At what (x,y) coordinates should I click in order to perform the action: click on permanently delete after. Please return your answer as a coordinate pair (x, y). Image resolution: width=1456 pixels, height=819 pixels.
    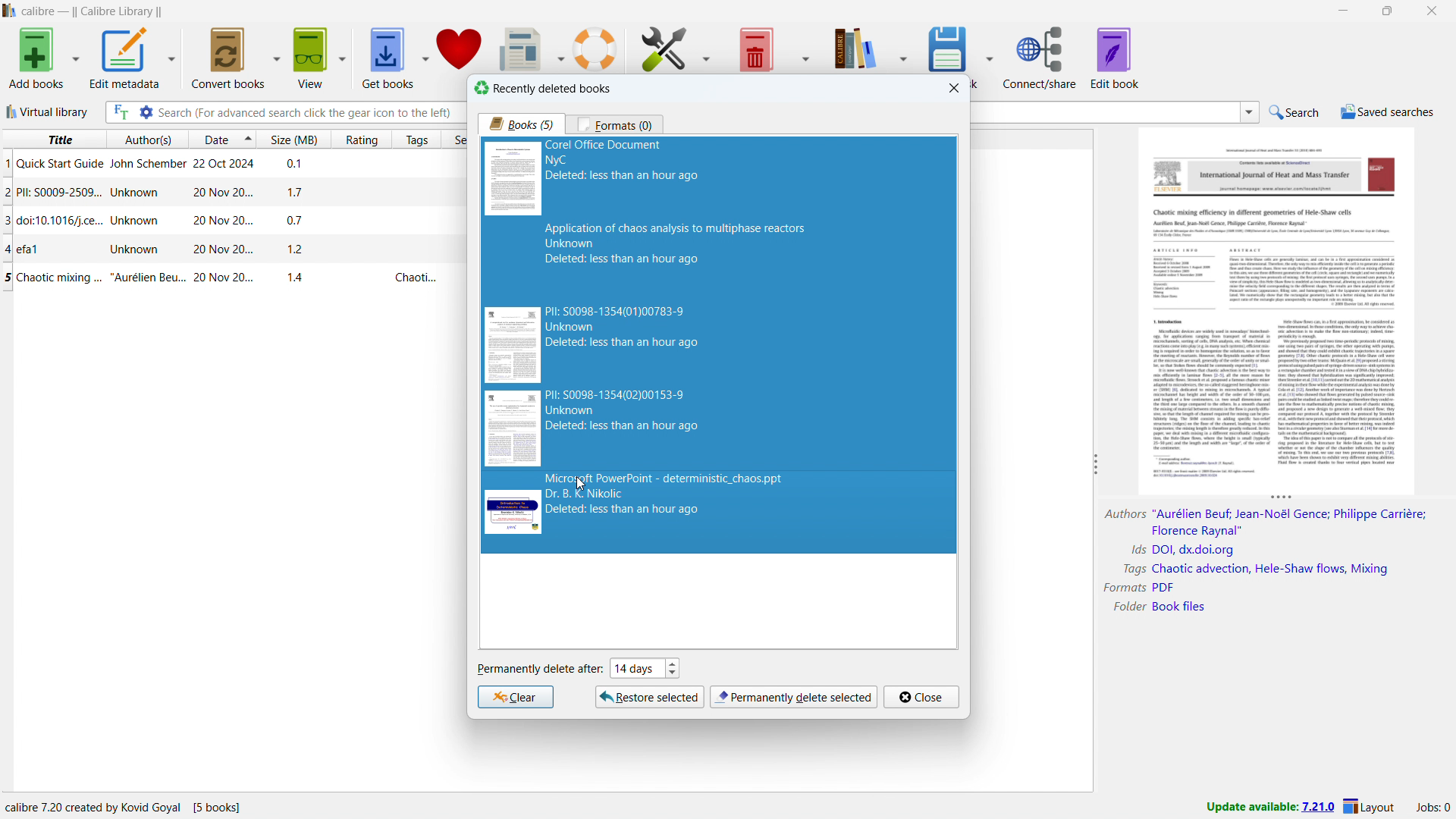
    Looking at the image, I should click on (539, 670).